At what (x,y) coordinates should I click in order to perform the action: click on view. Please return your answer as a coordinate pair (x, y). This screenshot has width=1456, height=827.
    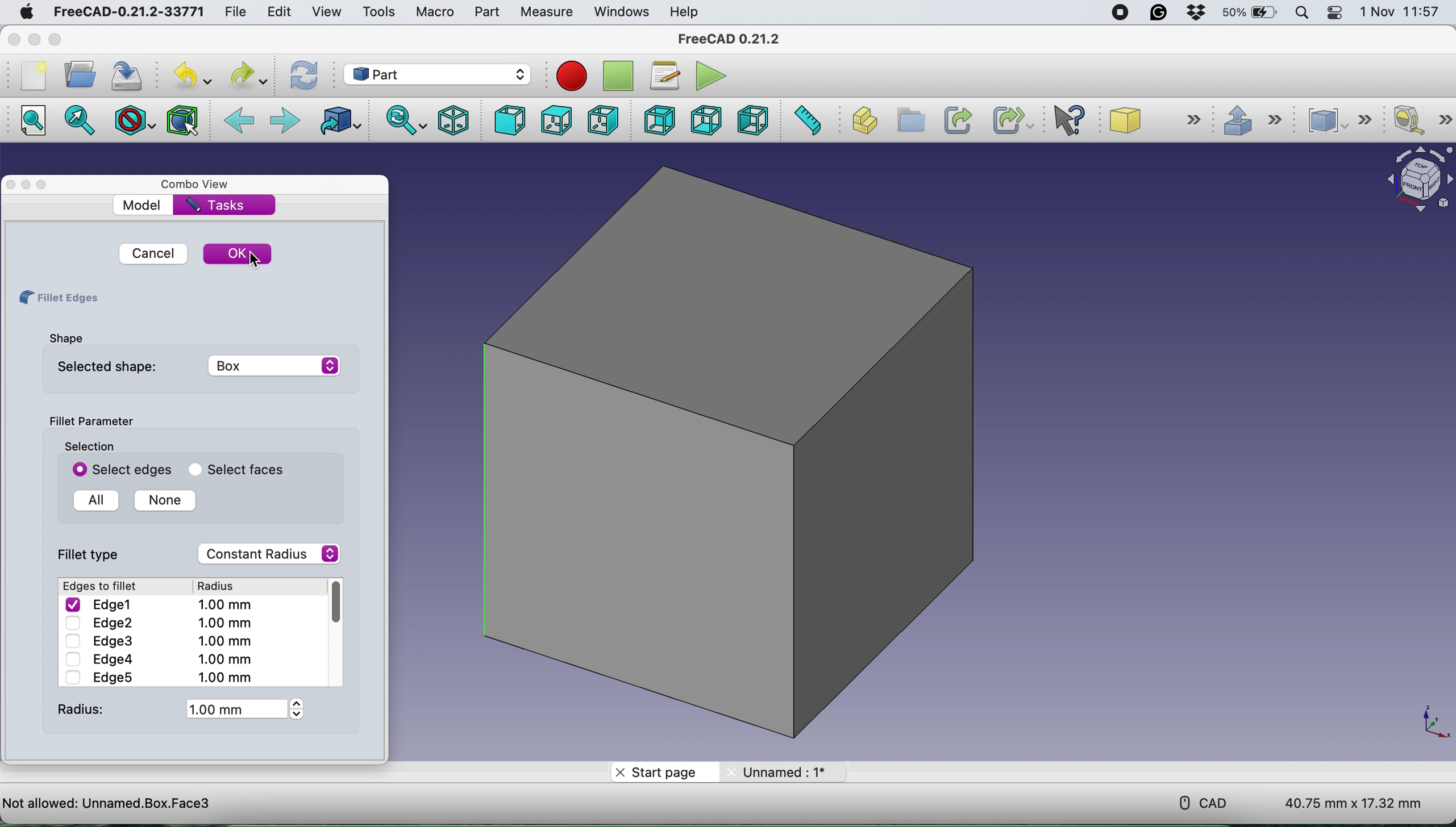
    Looking at the image, I should click on (327, 12).